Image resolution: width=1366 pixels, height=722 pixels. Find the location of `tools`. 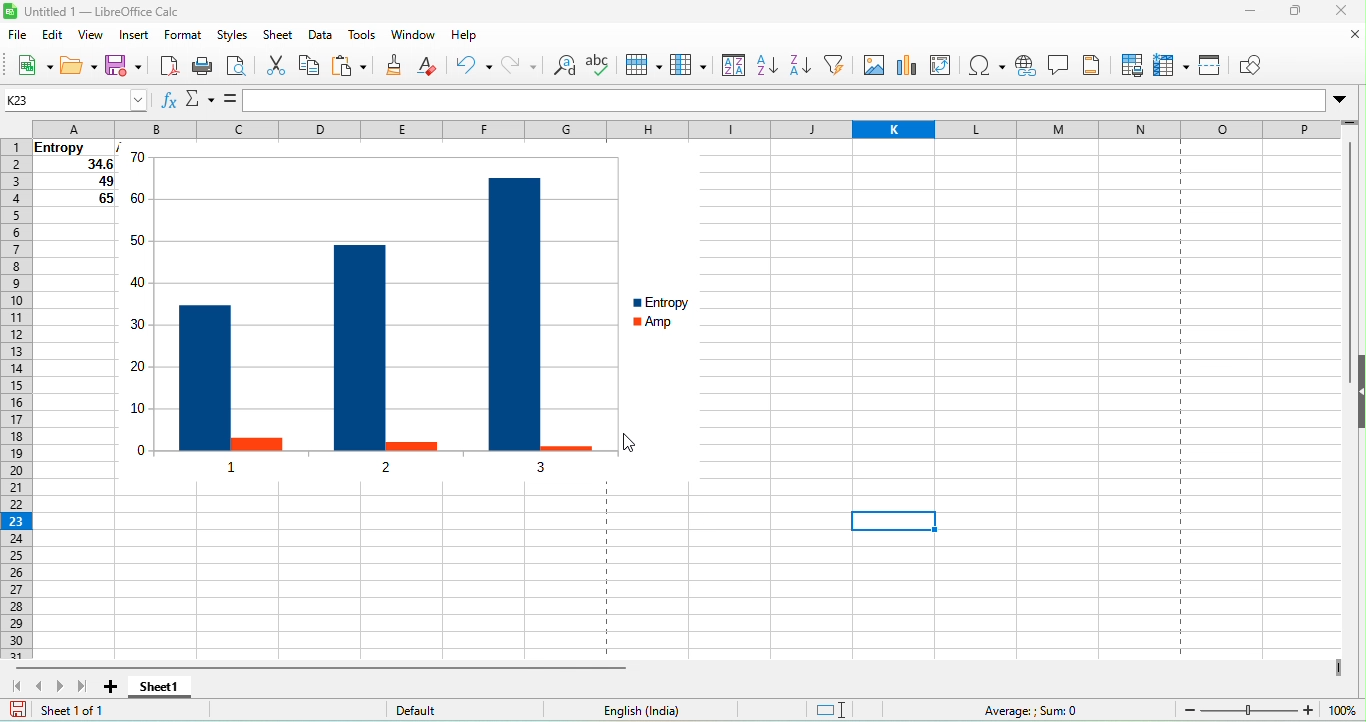

tools is located at coordinates (361, 38).